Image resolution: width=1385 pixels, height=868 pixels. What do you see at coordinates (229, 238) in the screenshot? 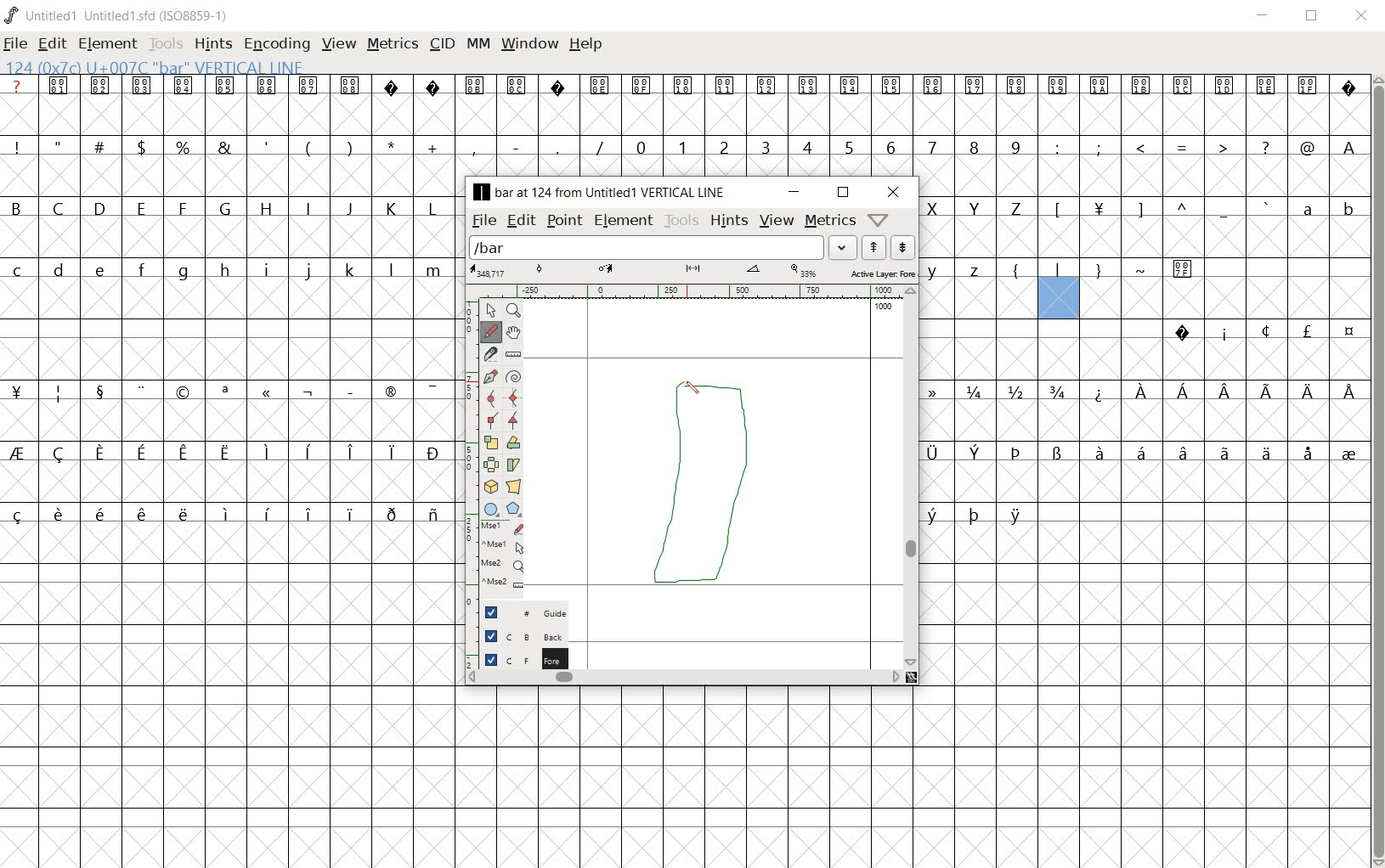
I see `empty cells` at bounding box center [229, 238].